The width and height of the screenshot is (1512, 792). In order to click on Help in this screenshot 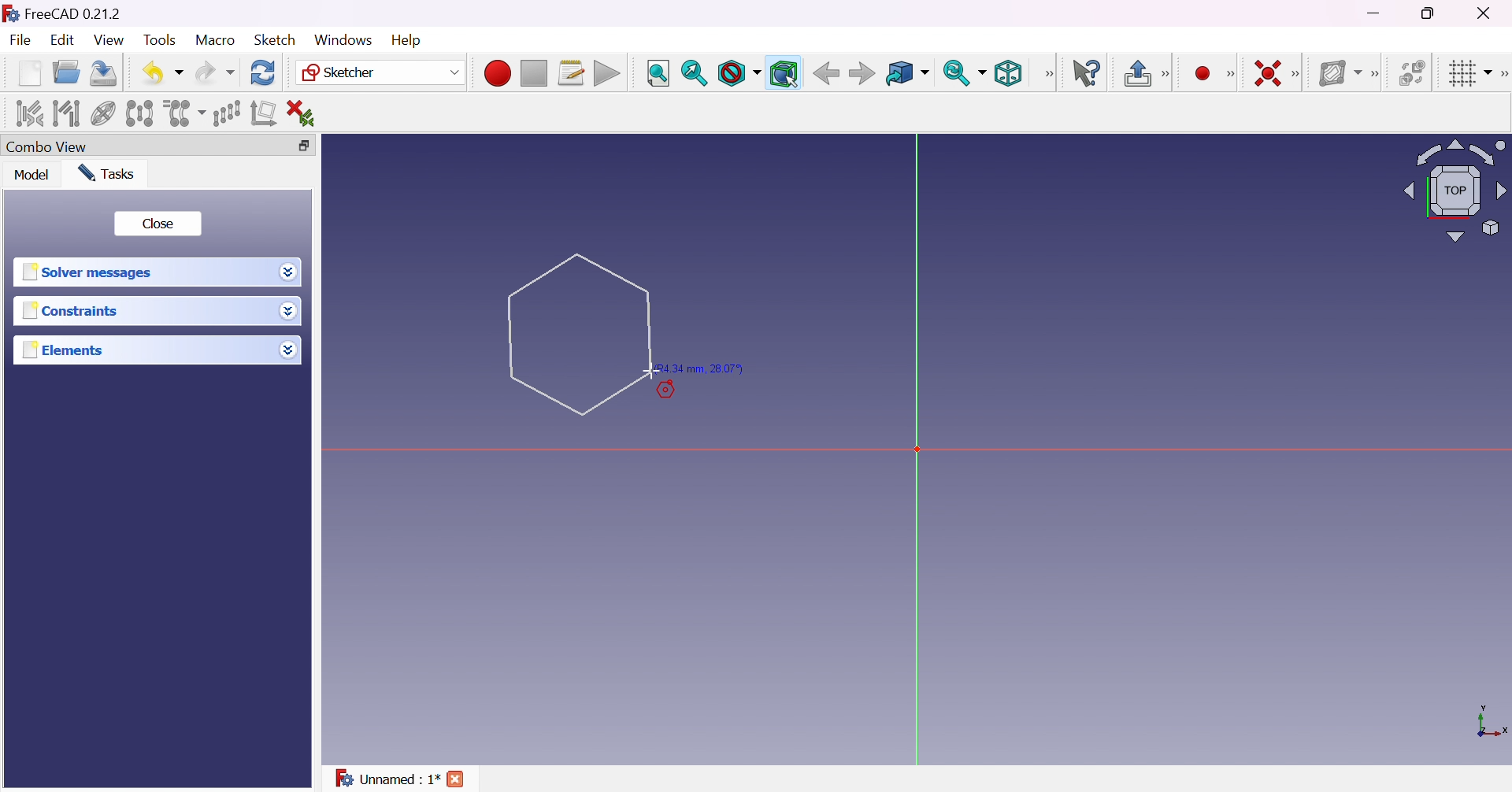, I will do `click(409, 41)`.